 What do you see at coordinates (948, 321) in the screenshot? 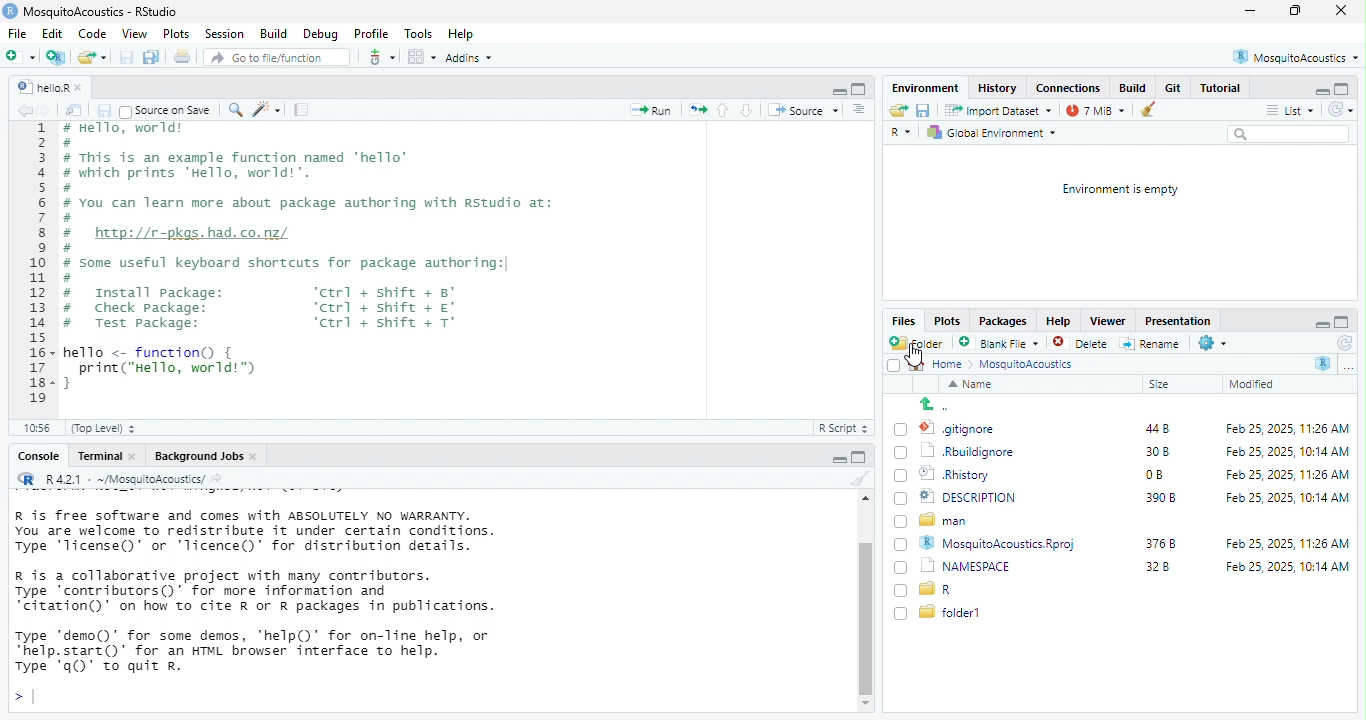
I see ` Plots` at bounding box center [948, 321].